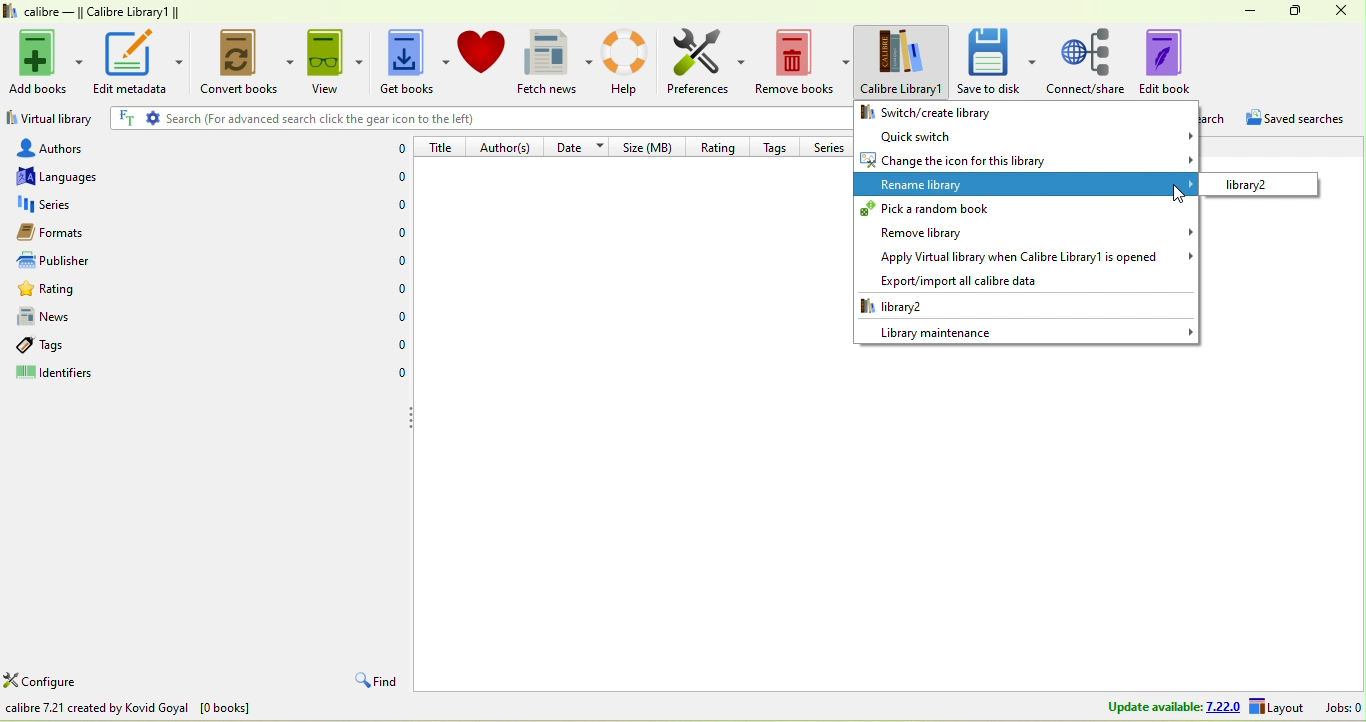  What do you see at coordinates (74, 261) in the screenshot?
I see `publisher` at bounding box center [74, 261].